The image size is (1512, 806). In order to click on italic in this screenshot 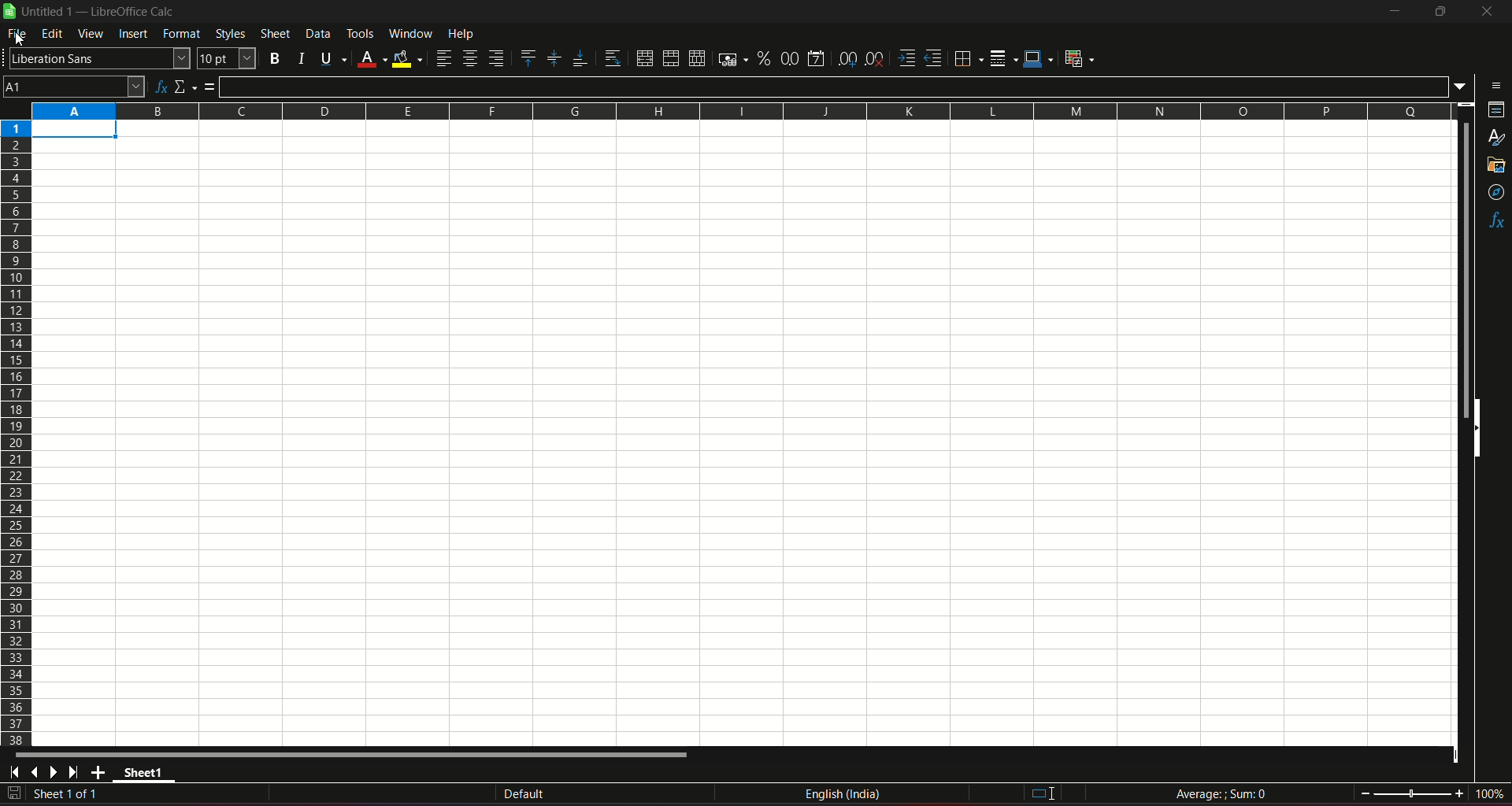, I will do `click(299, 57)`.